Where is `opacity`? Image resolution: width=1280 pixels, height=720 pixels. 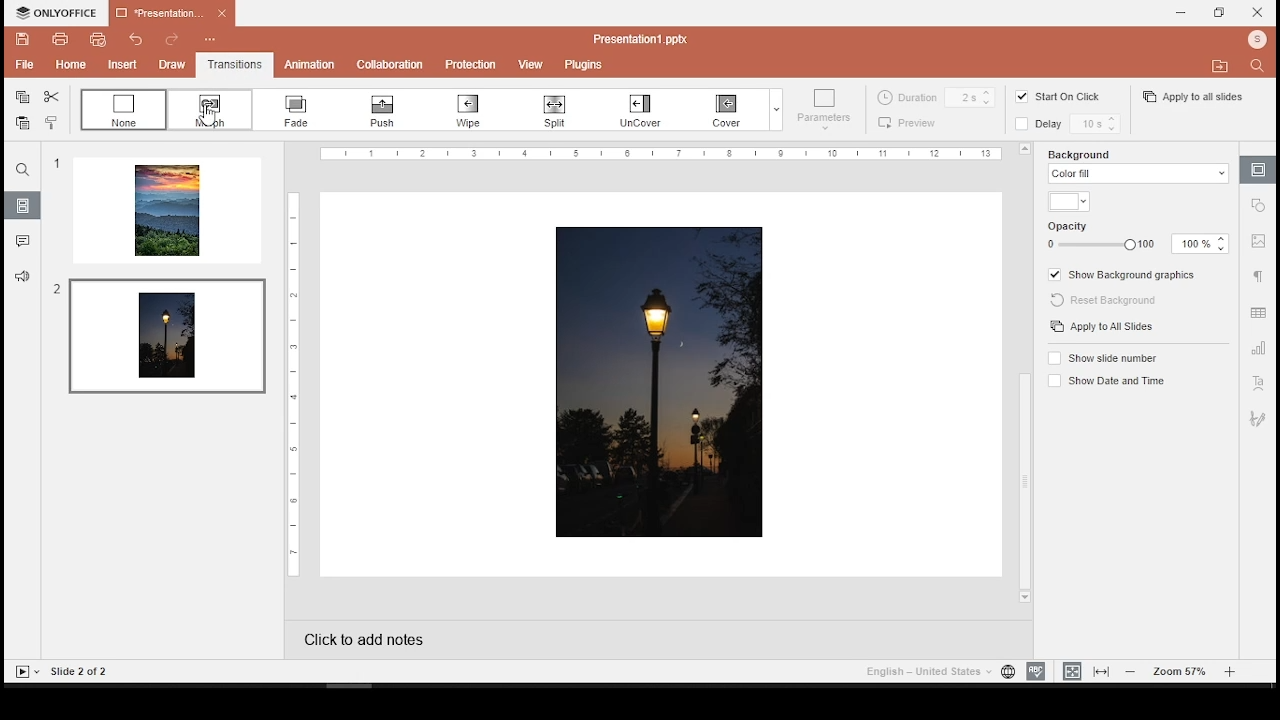
opacity is located at coordinates (1079, 223).